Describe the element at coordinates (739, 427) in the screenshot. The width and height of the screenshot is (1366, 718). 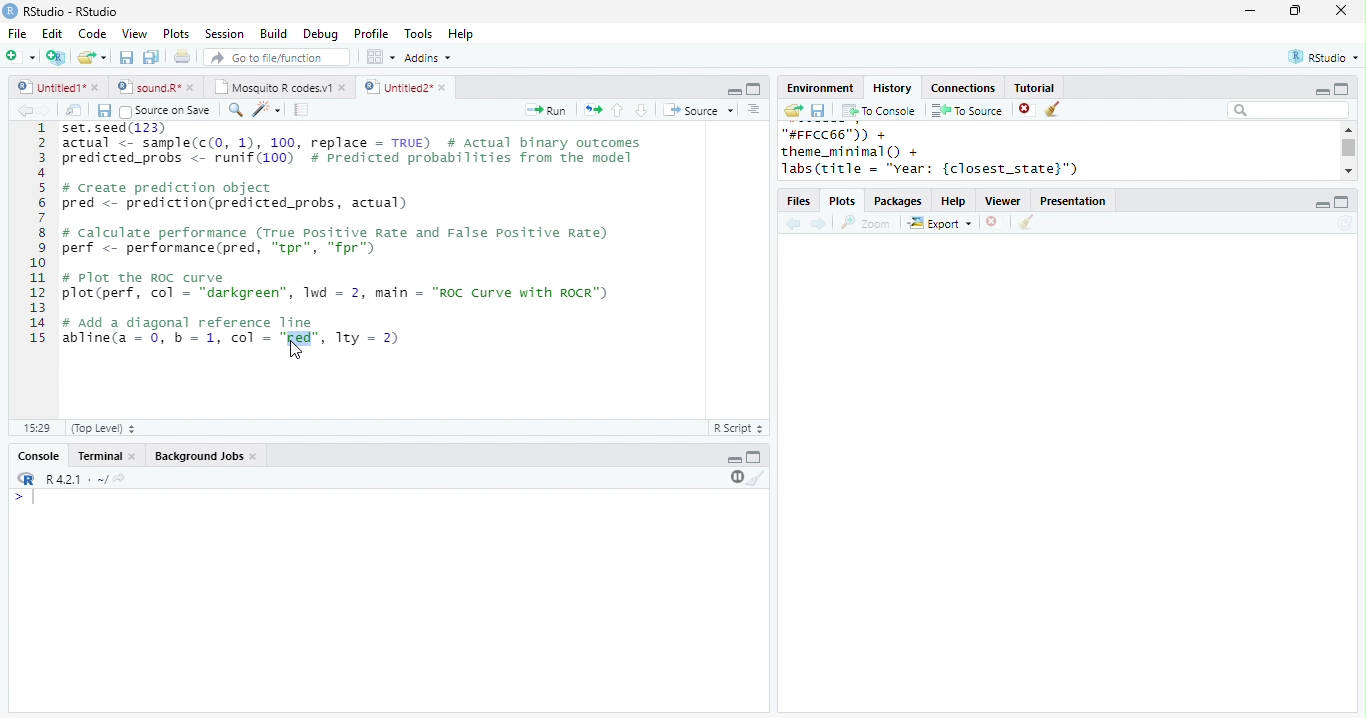
I see `R Script` at that location.